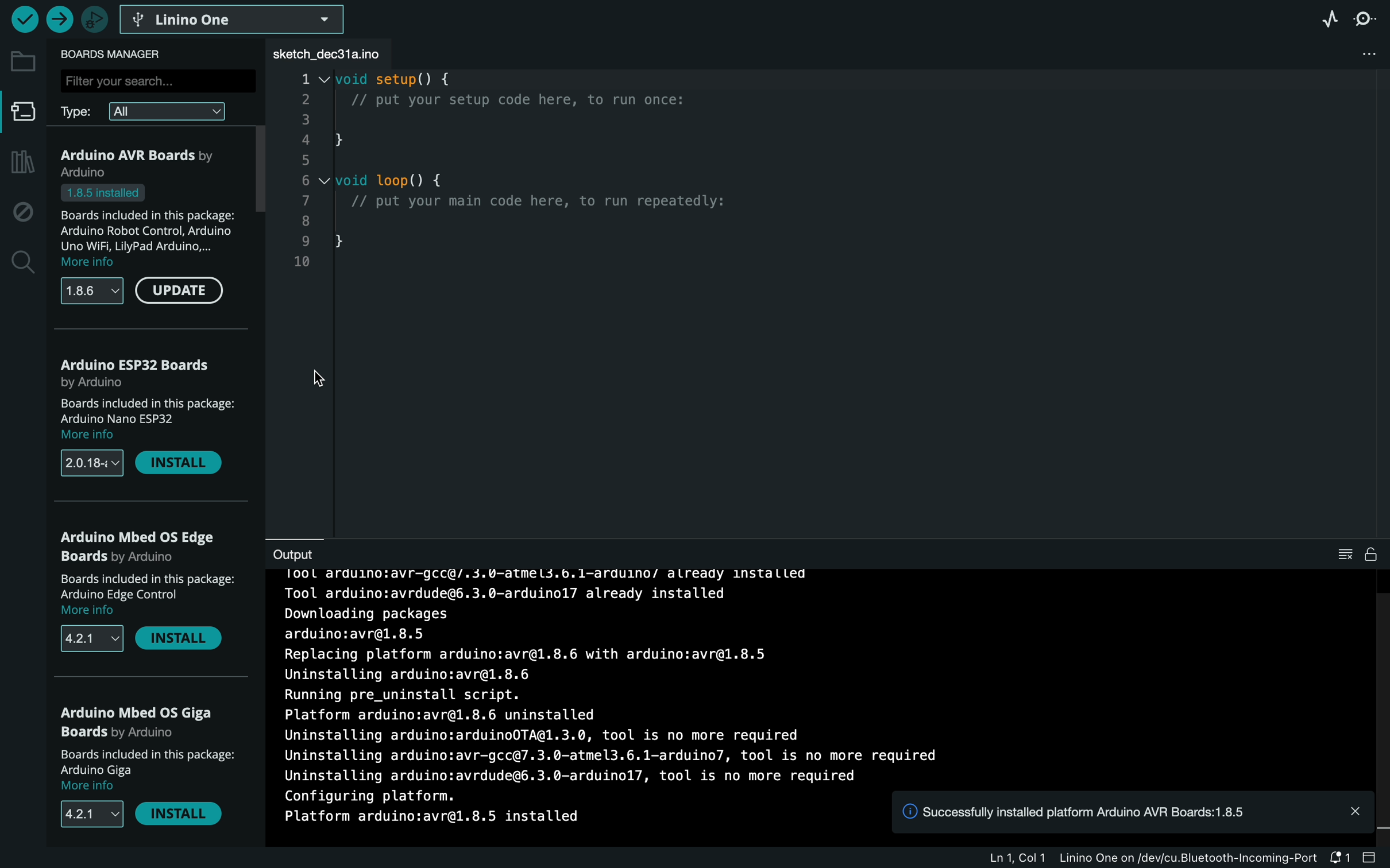  I want to click on installing, so click(817, 676).